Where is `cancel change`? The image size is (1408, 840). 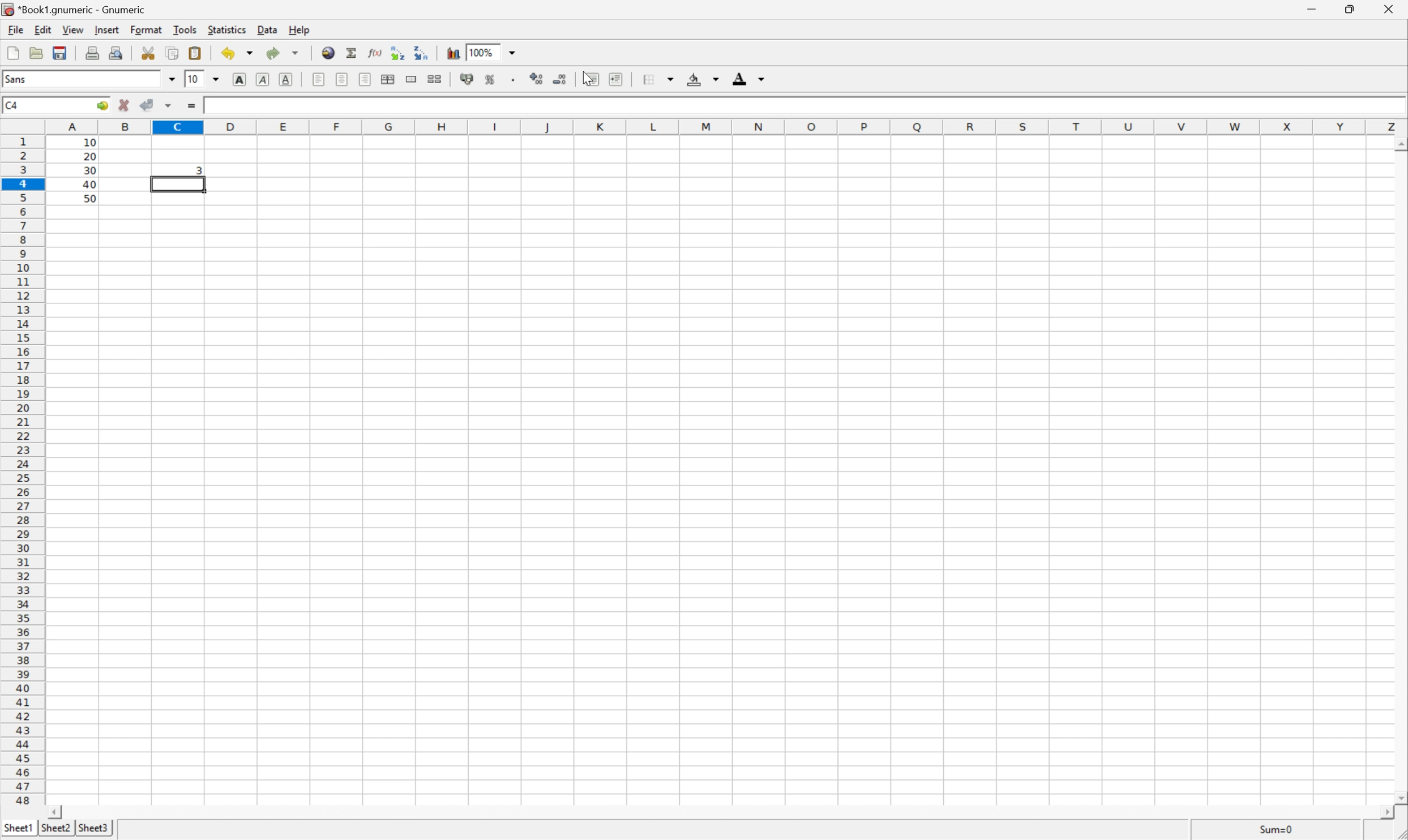 cancel change is located at coordinates (124, 107).